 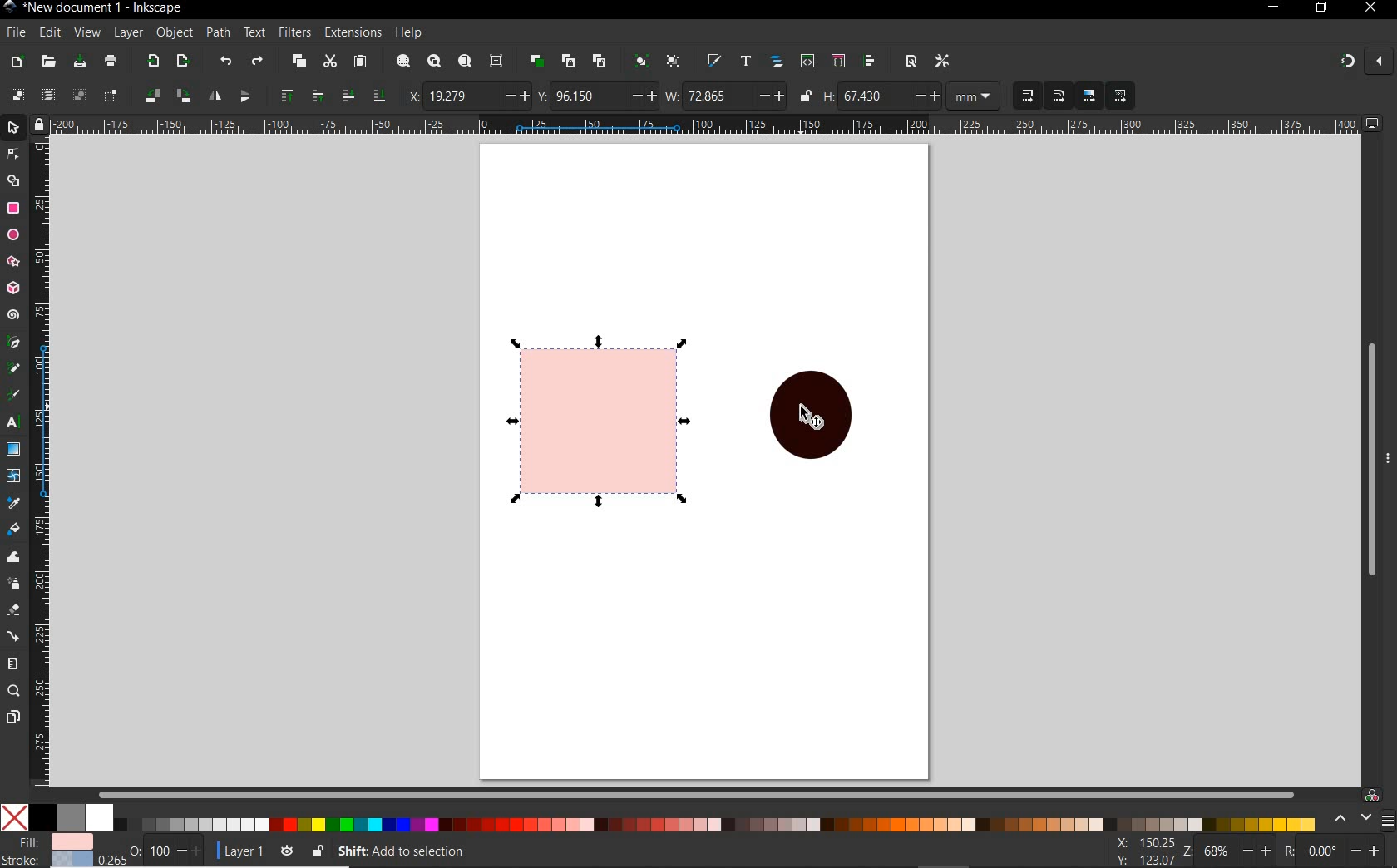 I want to click on object, so click(x=174, y=32).